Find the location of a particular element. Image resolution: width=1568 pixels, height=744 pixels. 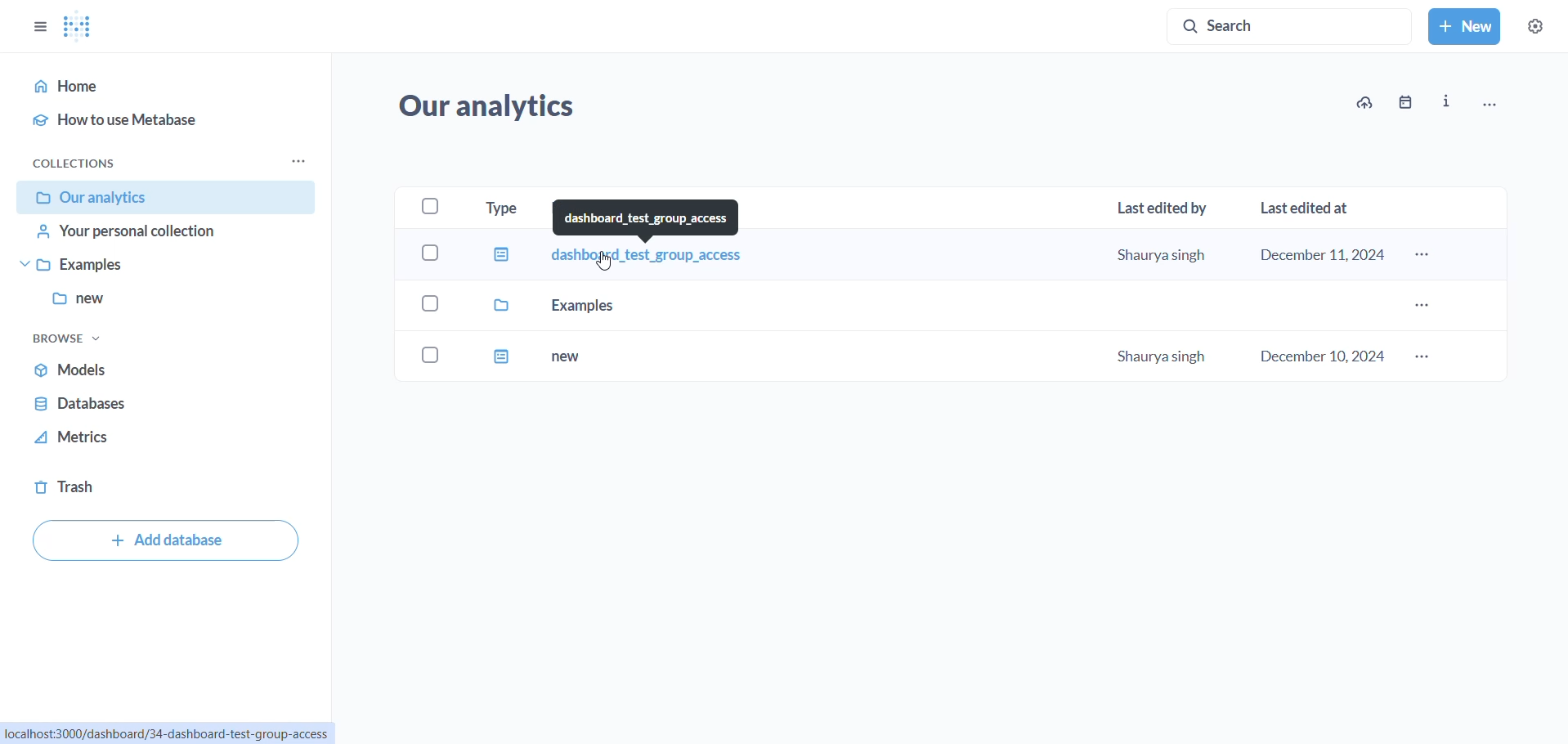

metrics is located at coordinates (158, 442).